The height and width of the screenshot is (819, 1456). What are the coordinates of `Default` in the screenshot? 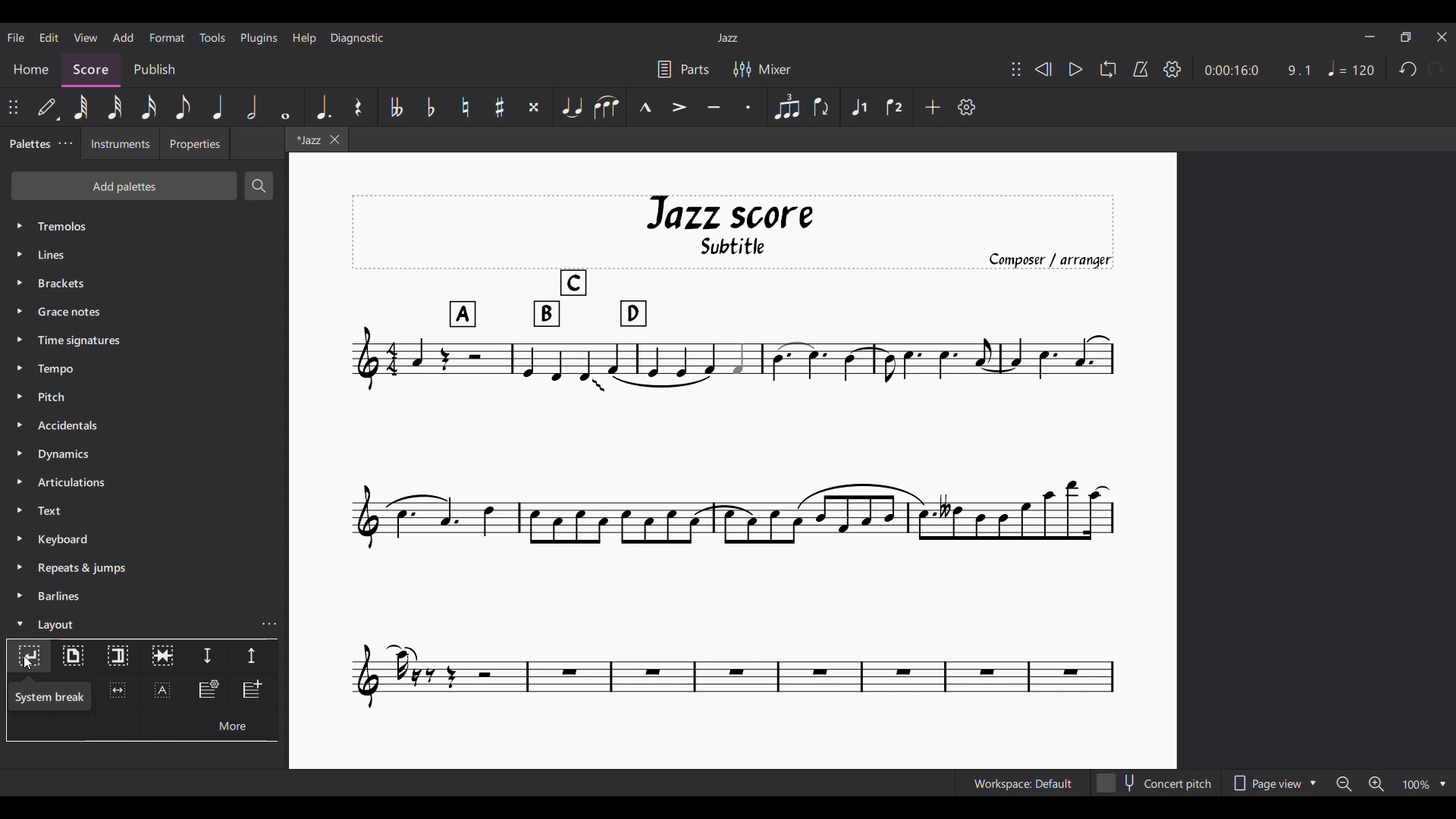 It's located at (46, 107).